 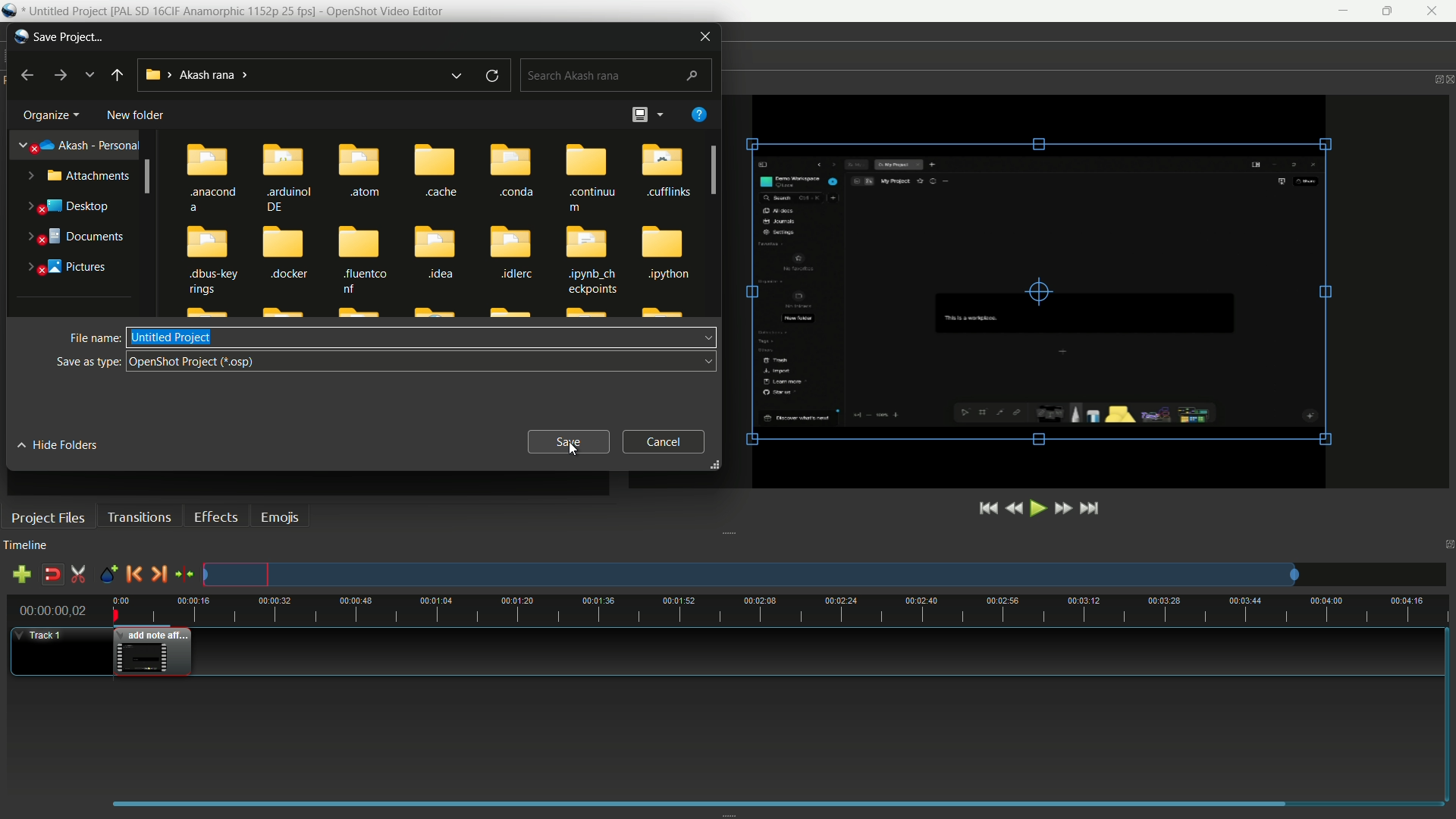 I want to click on time, so click(x=780, y=608).